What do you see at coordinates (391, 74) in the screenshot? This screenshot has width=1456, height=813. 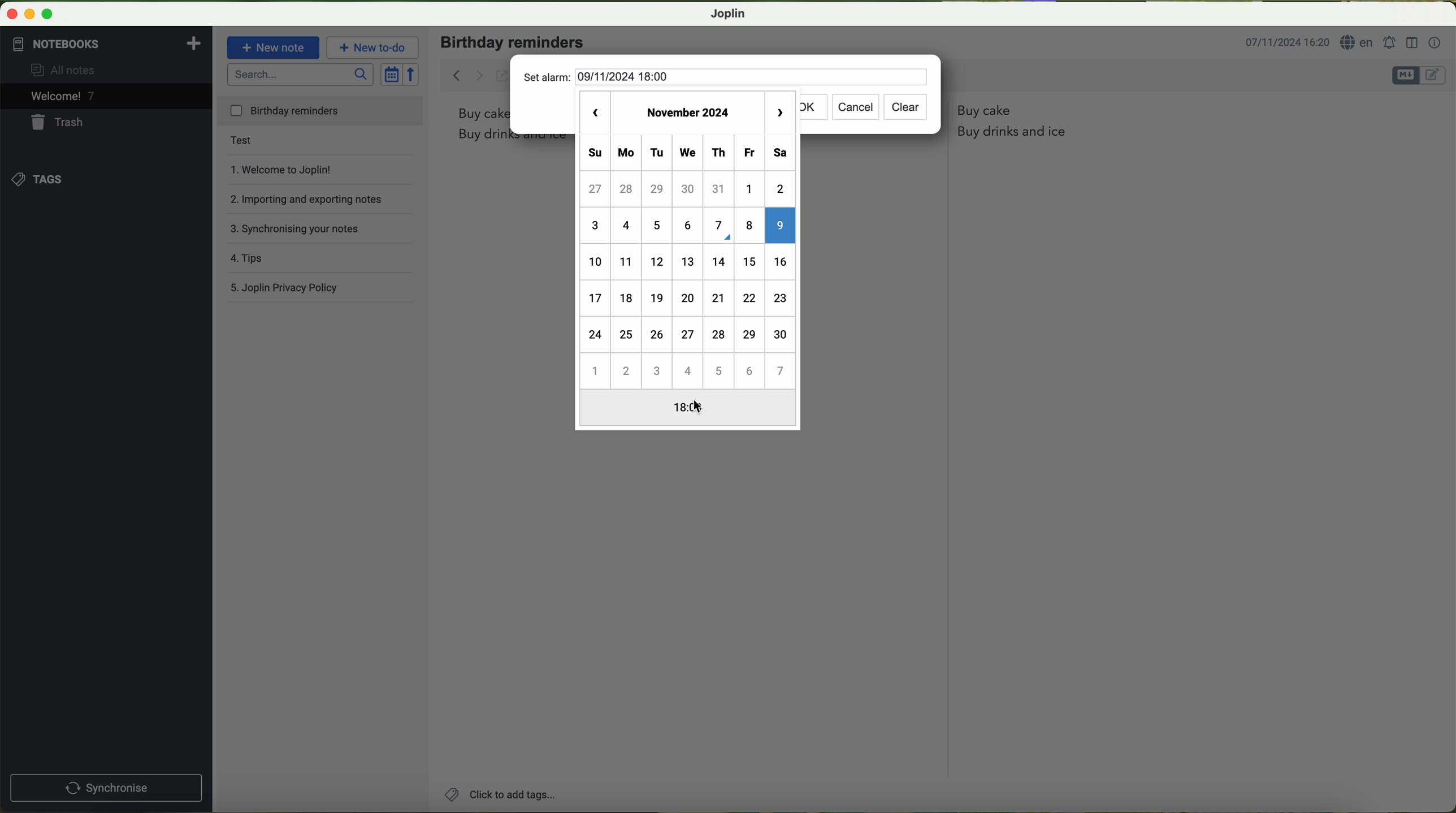 I see `toggle sort order field` at bounding box center [391, 74].